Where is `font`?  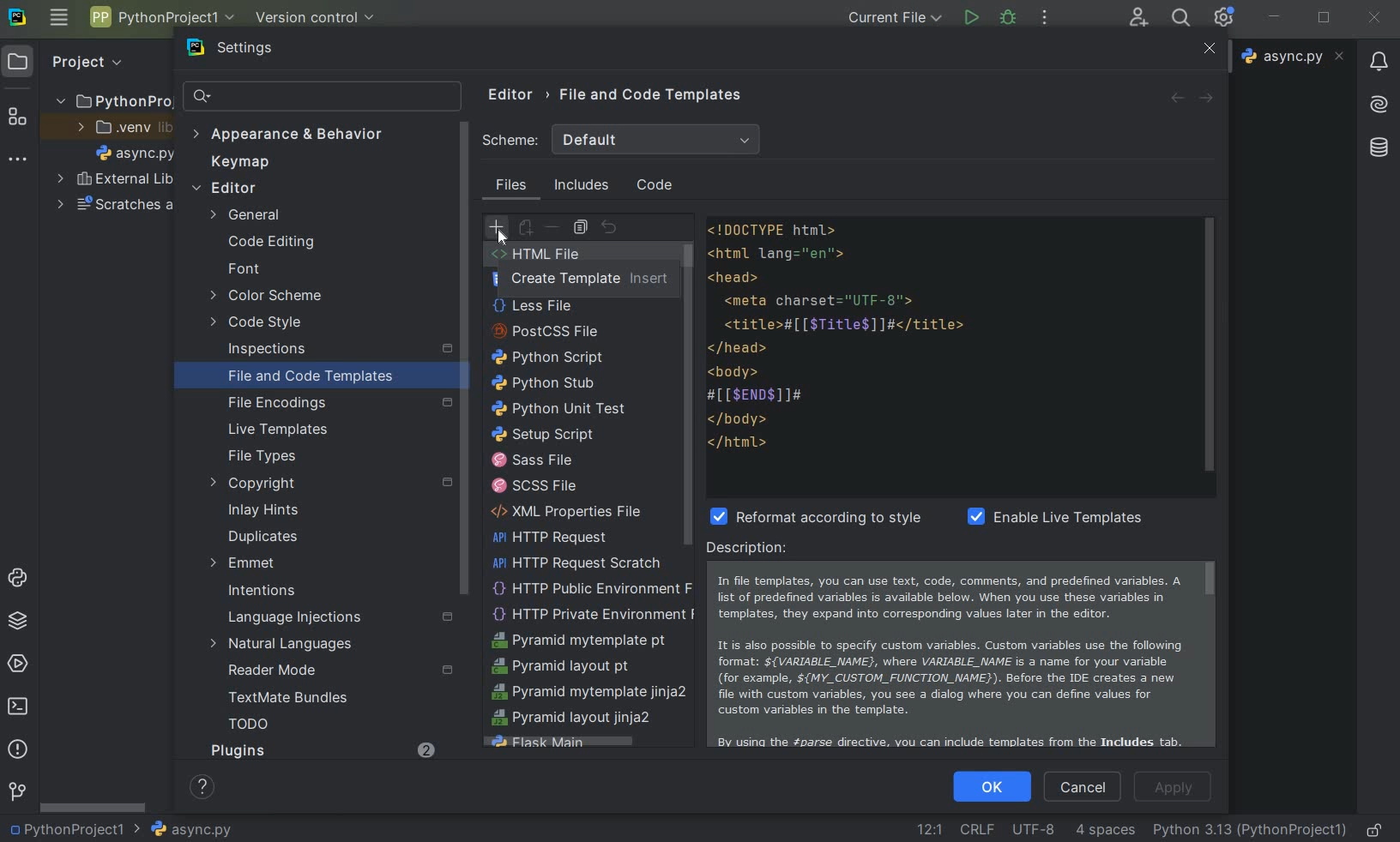 font is located at coordinates (244, 270).